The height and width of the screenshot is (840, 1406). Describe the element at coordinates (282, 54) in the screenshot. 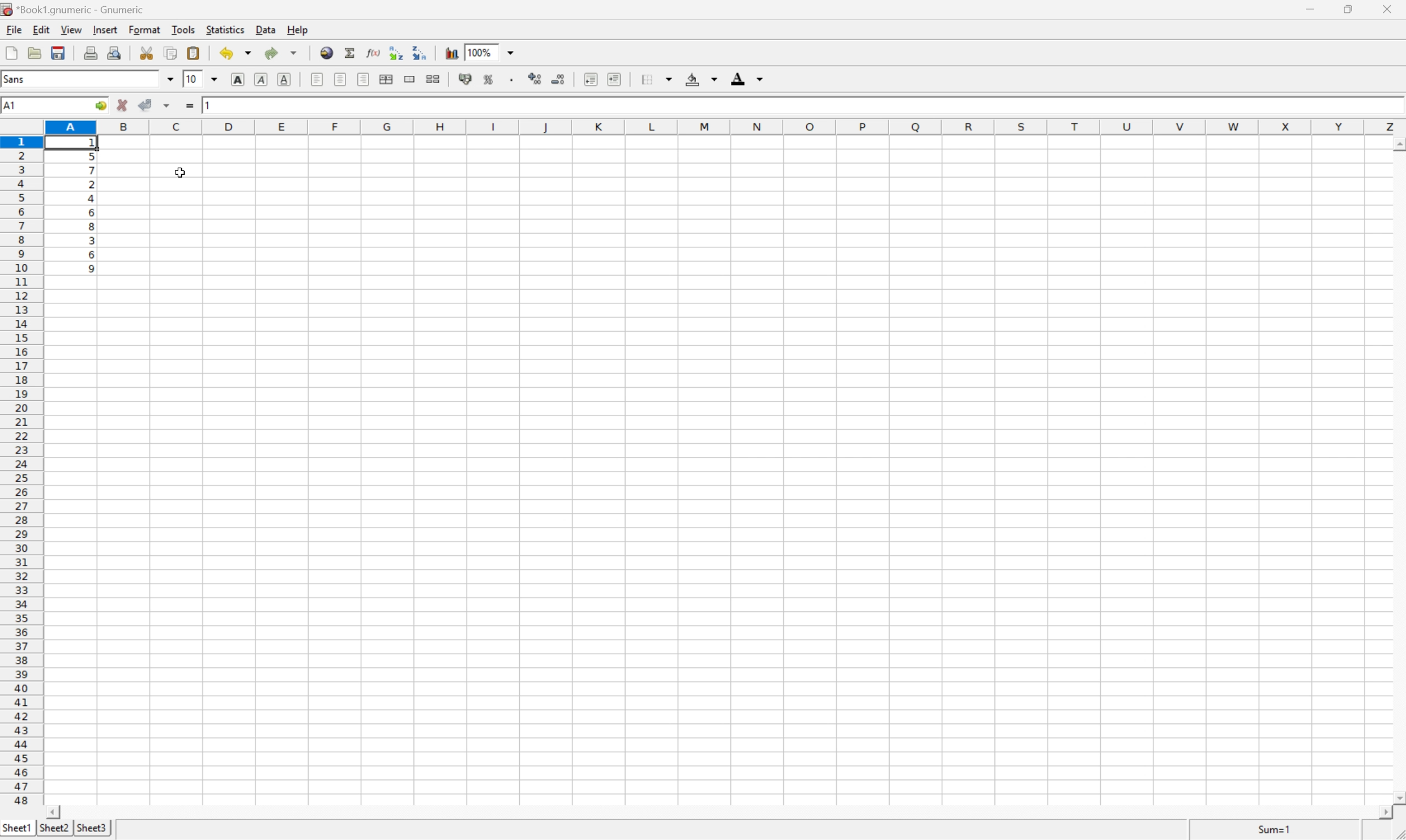

I see `redo` at that location.